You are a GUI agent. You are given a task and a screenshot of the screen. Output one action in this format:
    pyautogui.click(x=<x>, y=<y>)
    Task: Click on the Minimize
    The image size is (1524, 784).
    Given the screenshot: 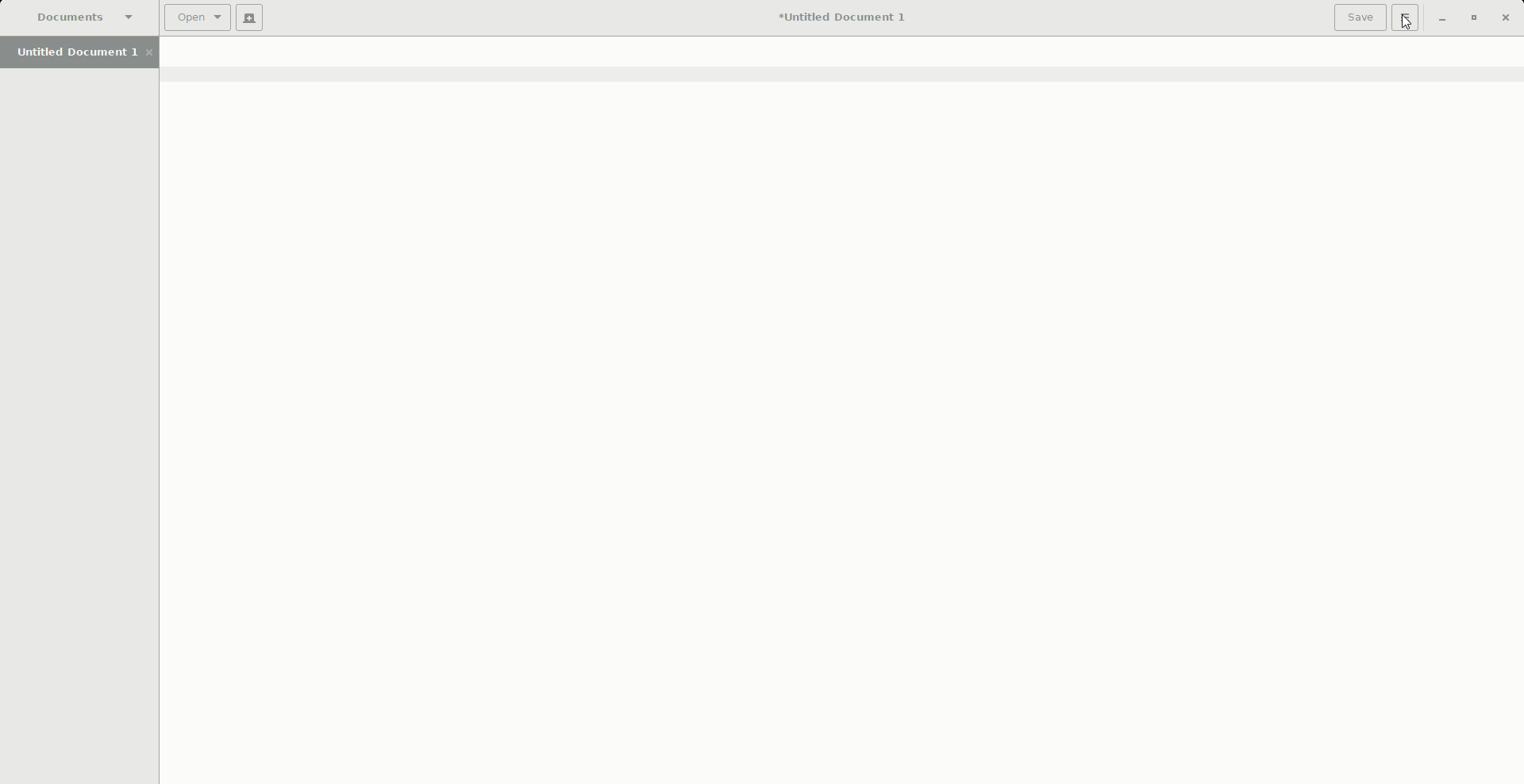 What is the action you would take?
    pyautogui.click(x=1441, y=19)
    